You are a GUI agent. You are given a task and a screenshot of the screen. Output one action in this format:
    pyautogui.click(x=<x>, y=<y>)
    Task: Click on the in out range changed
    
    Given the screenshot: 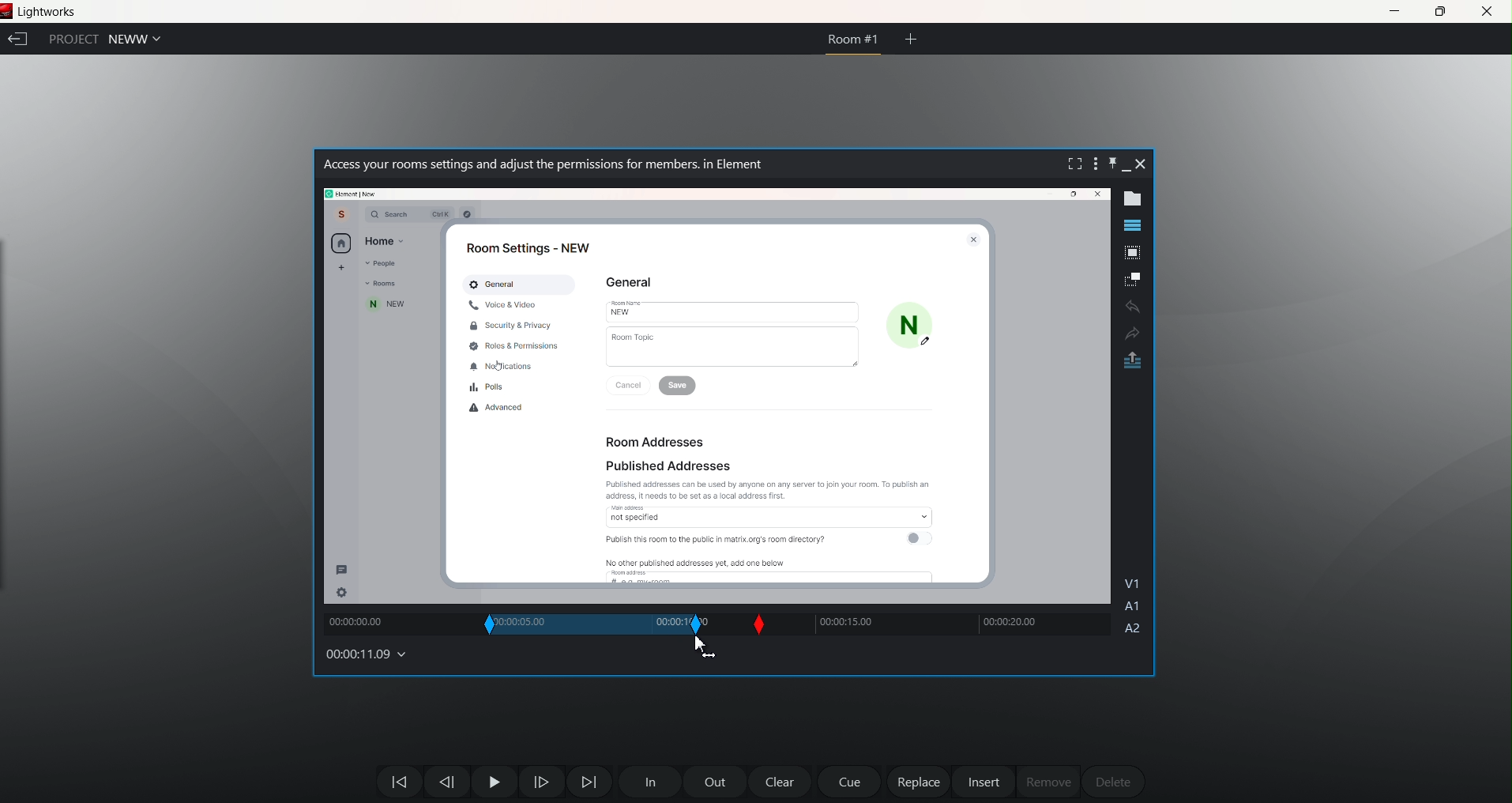 What is the action you would take?
    pyautogui.click(x=592, y=624)
    